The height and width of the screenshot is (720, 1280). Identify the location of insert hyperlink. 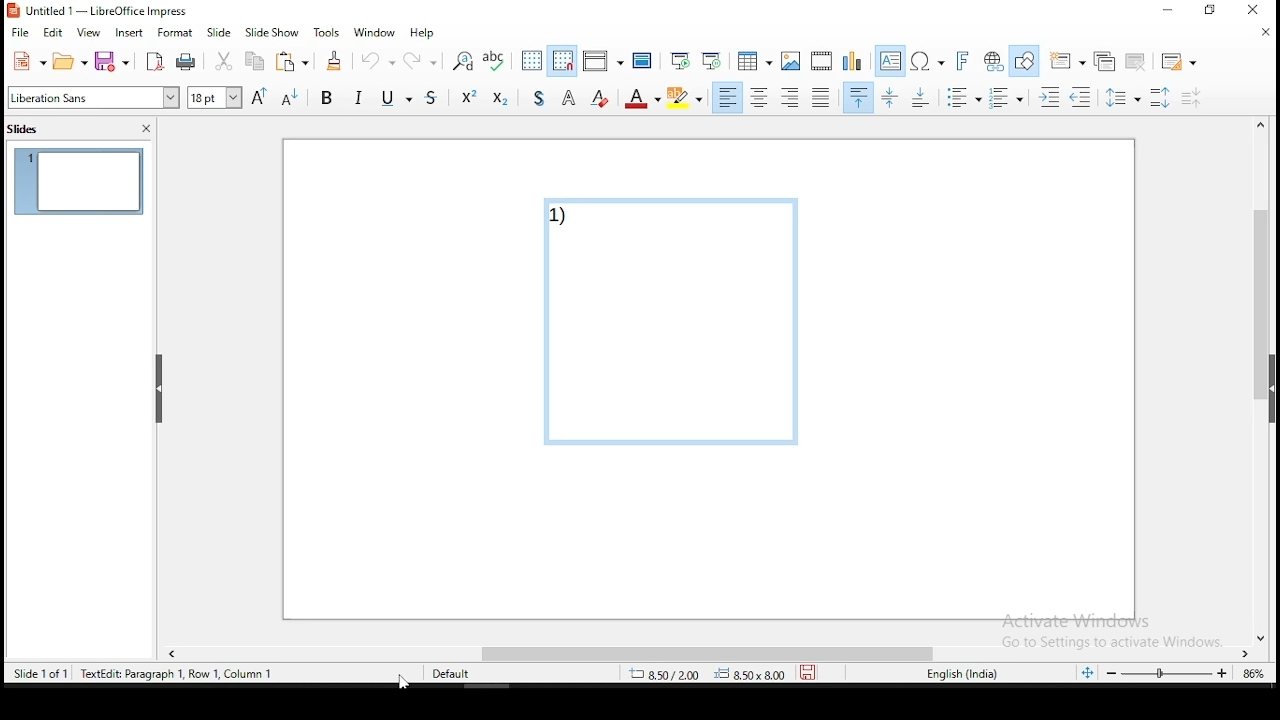
(992, 60).